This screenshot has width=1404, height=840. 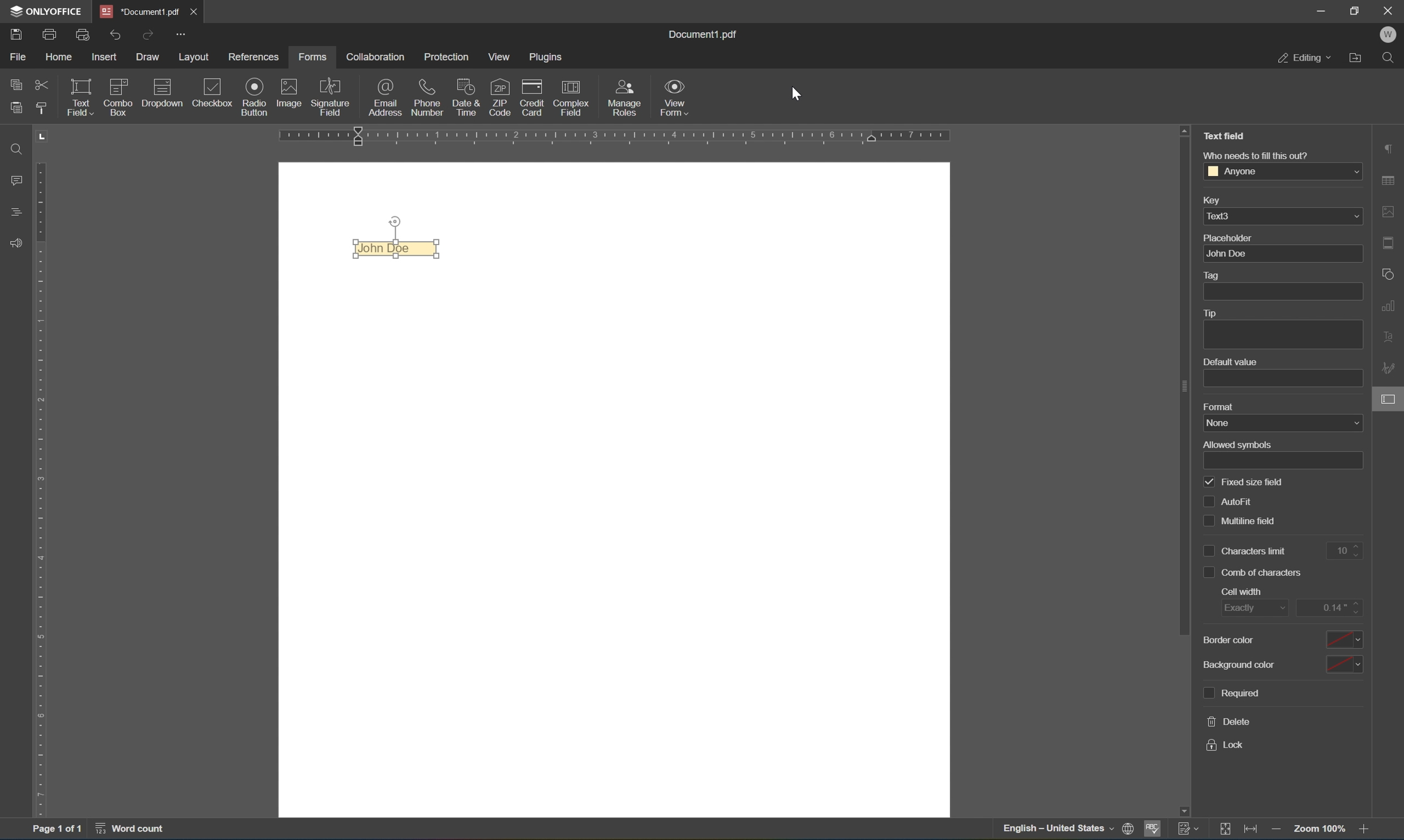 What do you see at coordinates (143, 11) in the screenshot?
I see `document1` at bounding box center [143, 11].